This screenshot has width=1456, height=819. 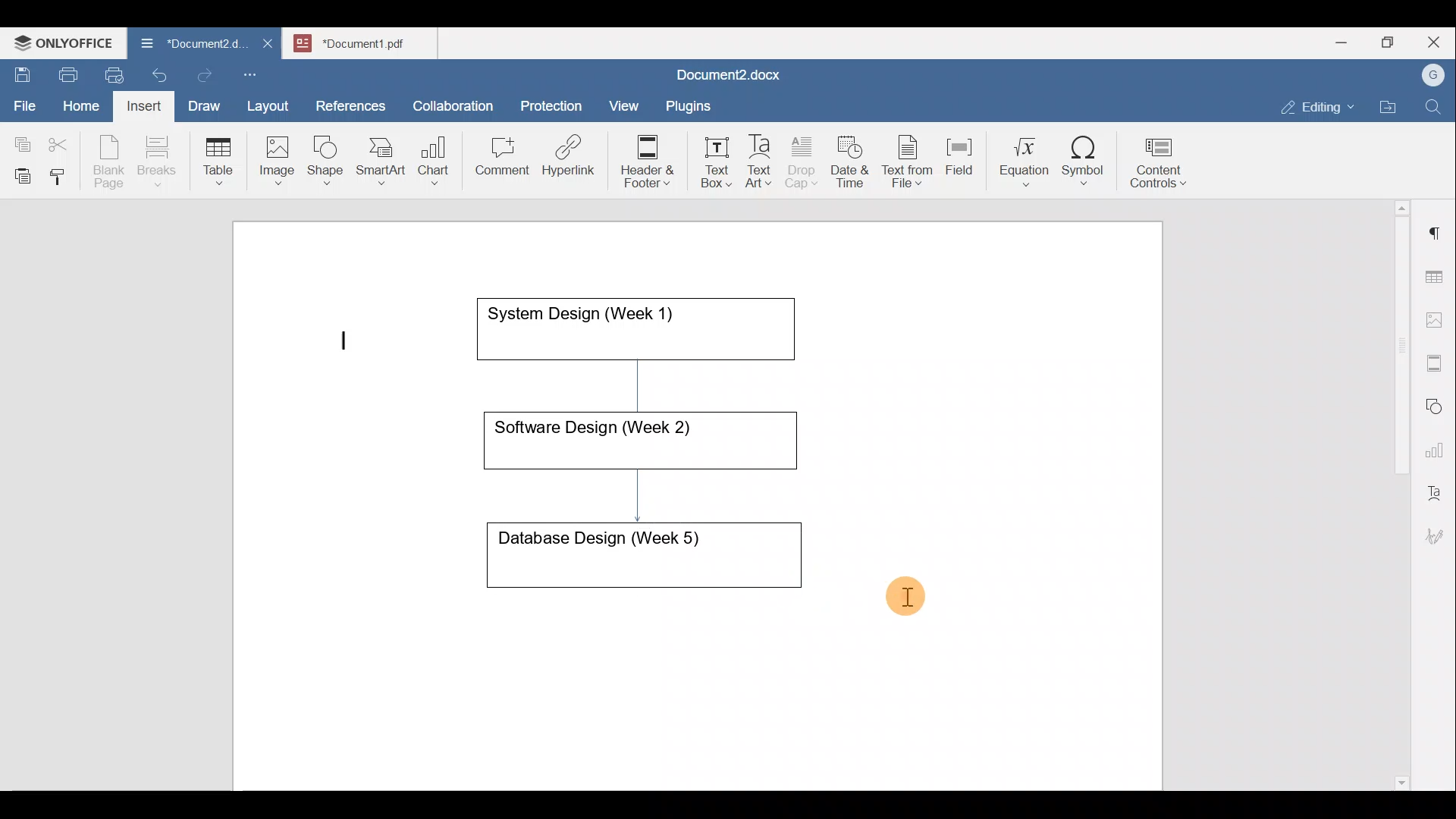 What do you see at coordinates (378, 158) in the screenshot?
I see `SmartArt` at bounding box center [378, 158].